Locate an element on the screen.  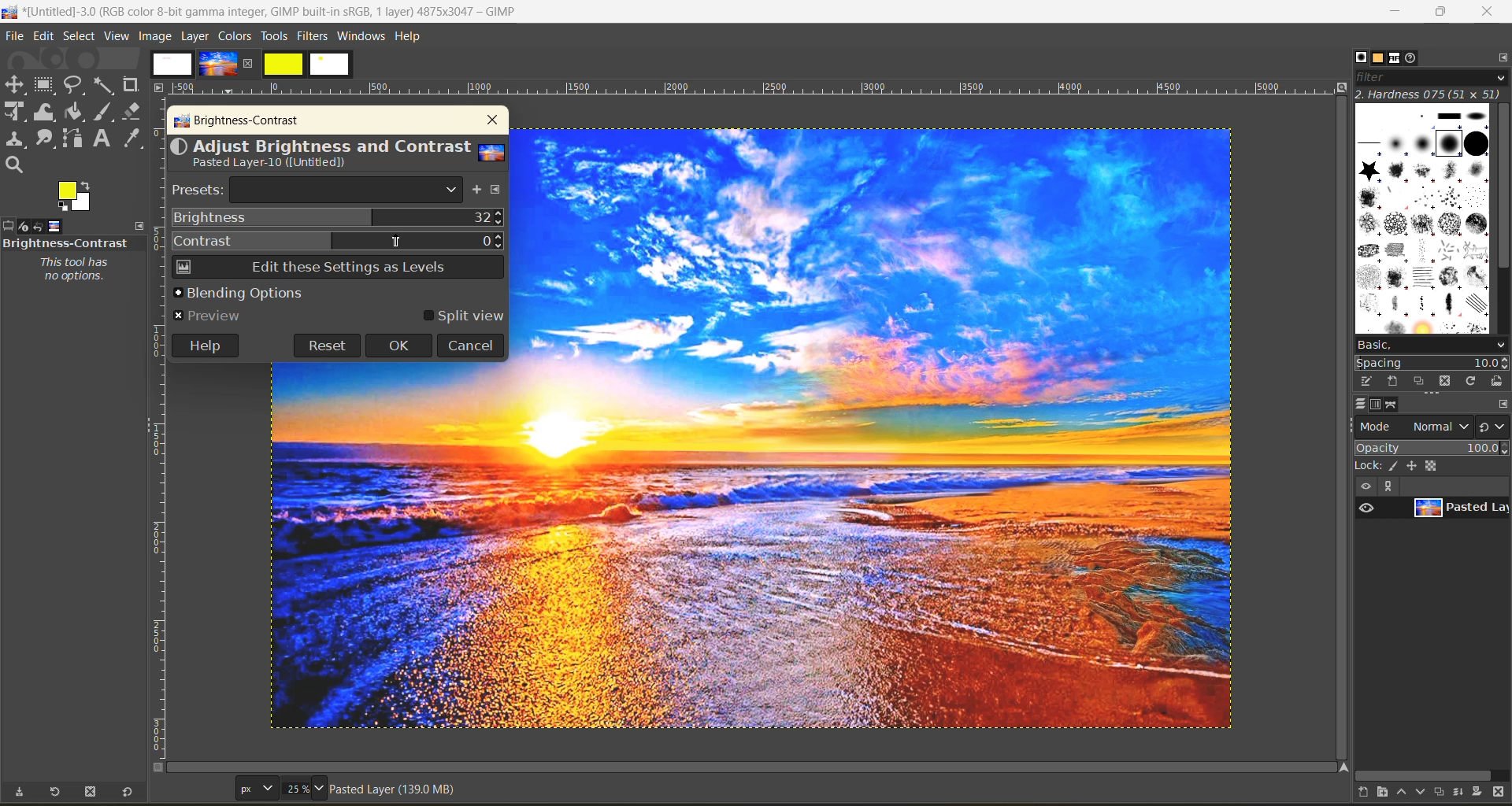
select is located at coordinates (81, 37).